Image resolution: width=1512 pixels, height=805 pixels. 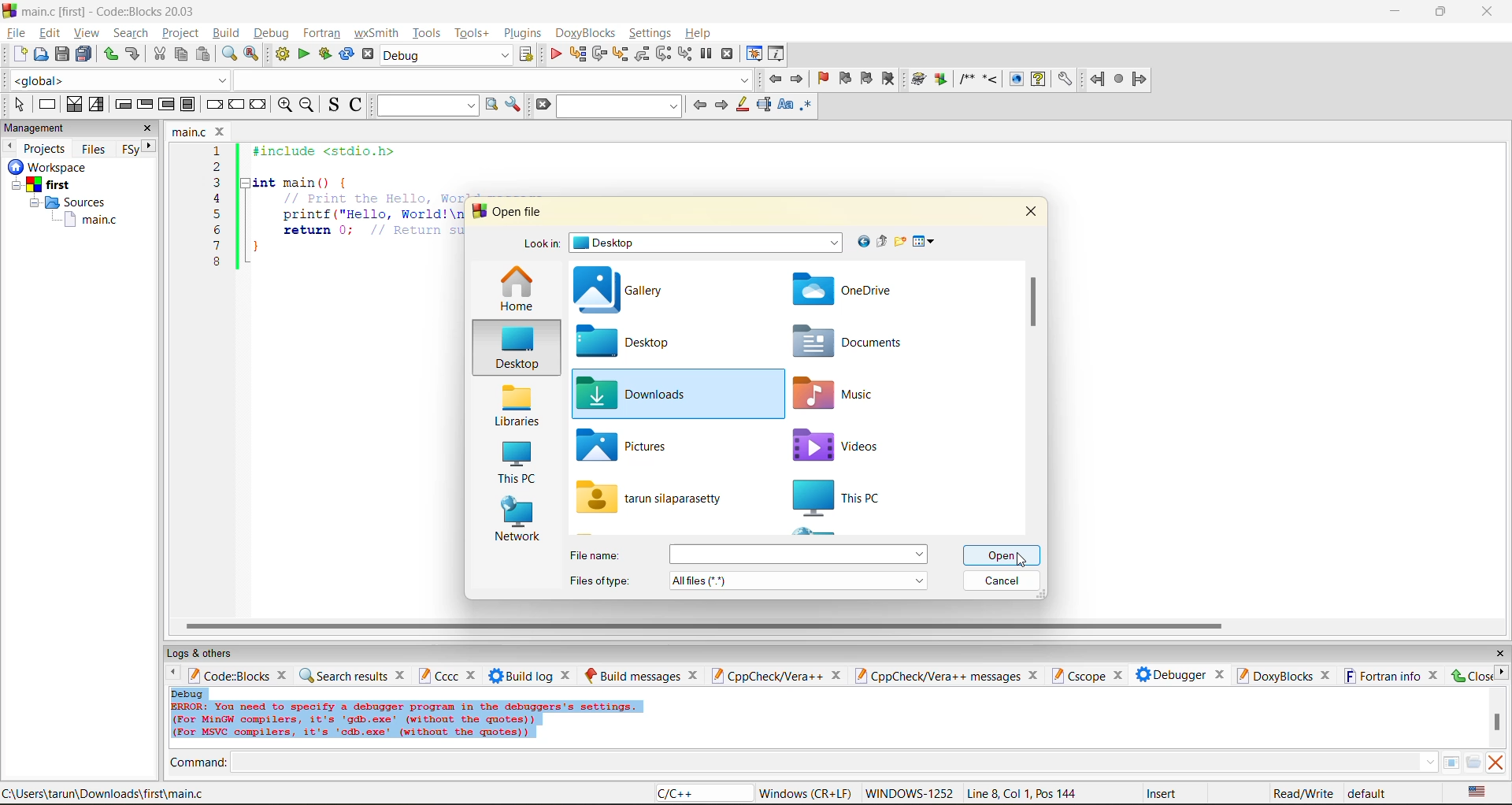 What do you see at coordinates (699, 105) in the screenshot?
I see `previous` at bounding box center [699, 105].